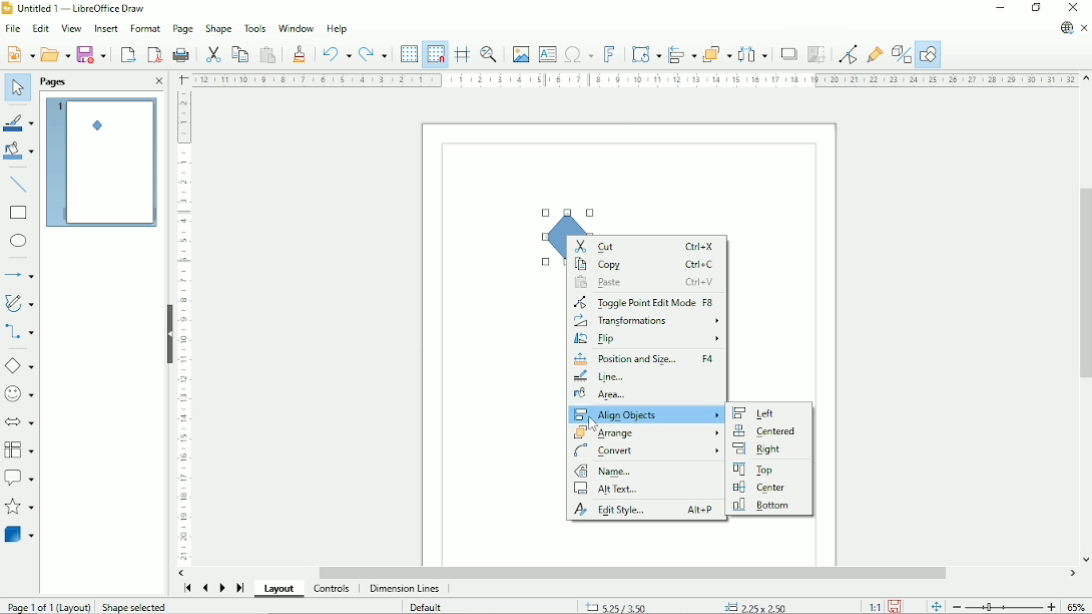 The width and height of the screenshot is (1092, 614). I want to click on Close document, so click(1085, 28).